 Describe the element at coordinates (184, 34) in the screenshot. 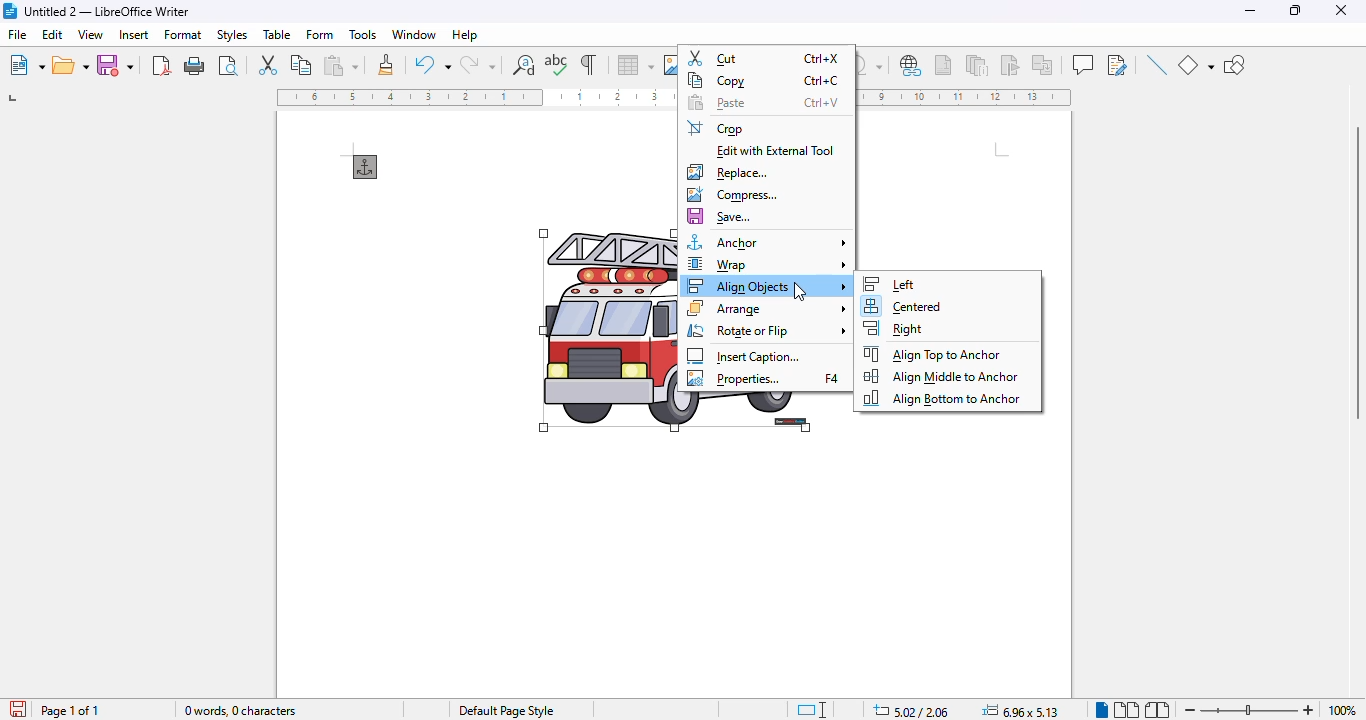

I see `format` at that location.